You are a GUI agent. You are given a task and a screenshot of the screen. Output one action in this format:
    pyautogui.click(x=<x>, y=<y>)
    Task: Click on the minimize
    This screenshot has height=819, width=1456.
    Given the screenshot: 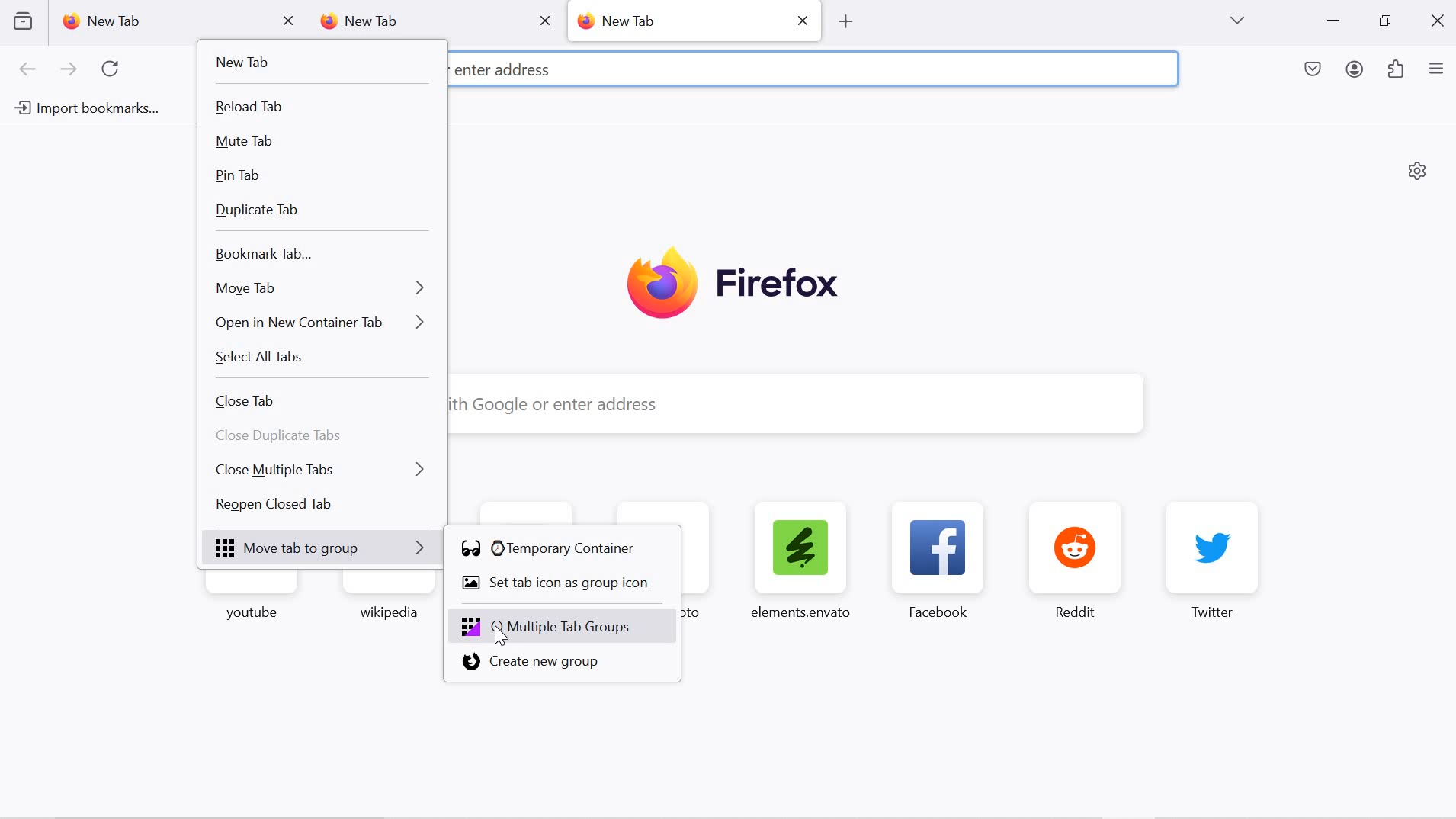 What is the action you would take?
    pyautogui.click(x=1333, y=22)
    